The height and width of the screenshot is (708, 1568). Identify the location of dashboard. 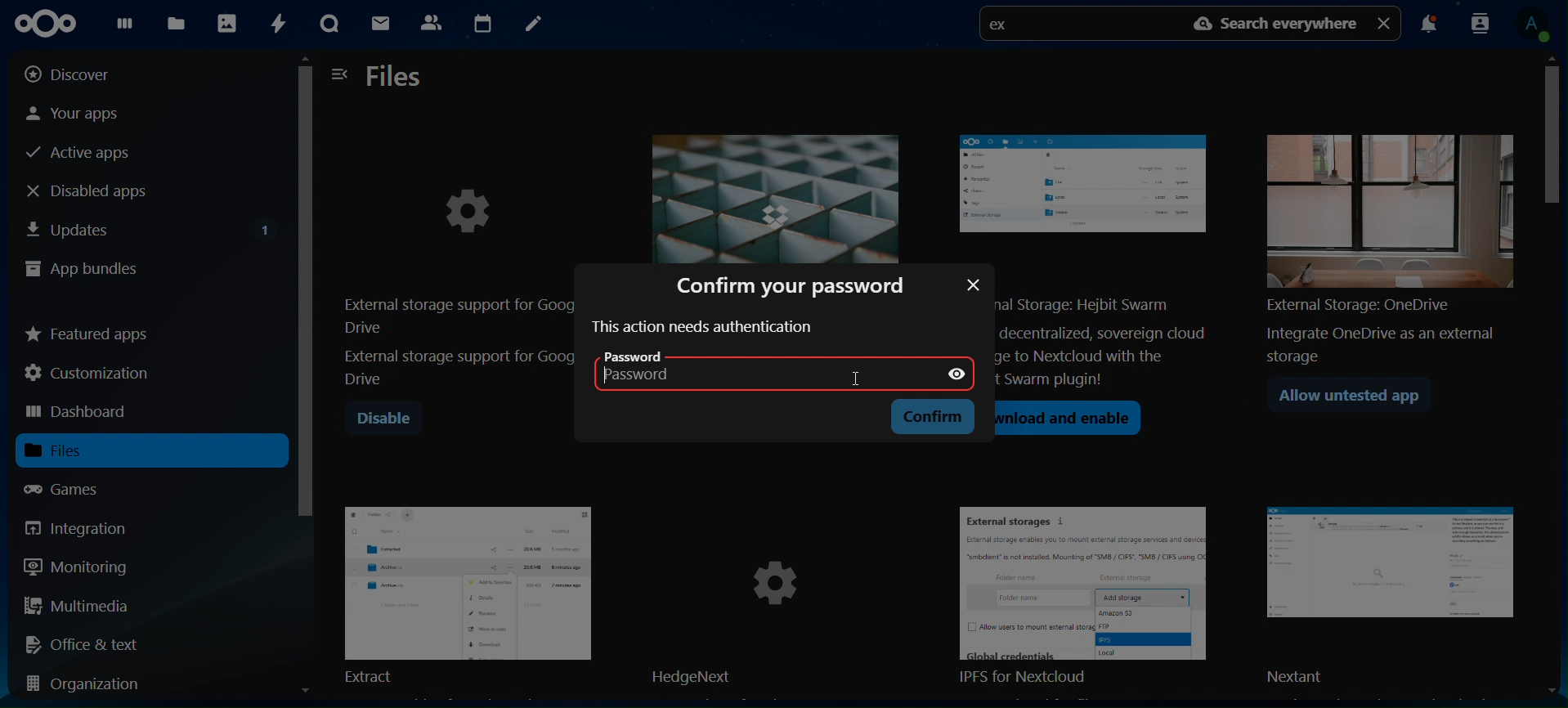
(124, 27).